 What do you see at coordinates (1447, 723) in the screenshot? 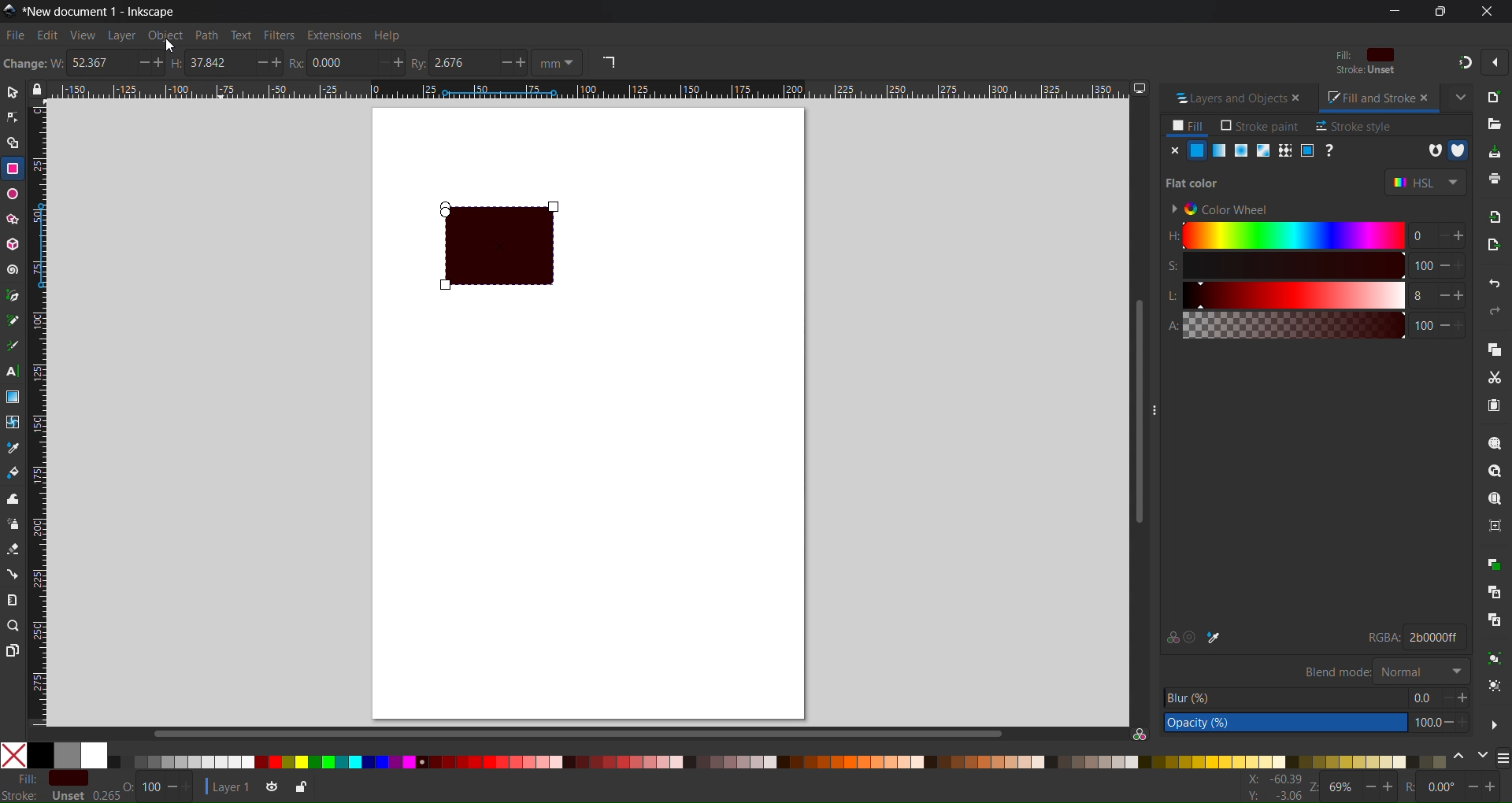
I see `decrease opacity` at bounding box center [1447, 723].